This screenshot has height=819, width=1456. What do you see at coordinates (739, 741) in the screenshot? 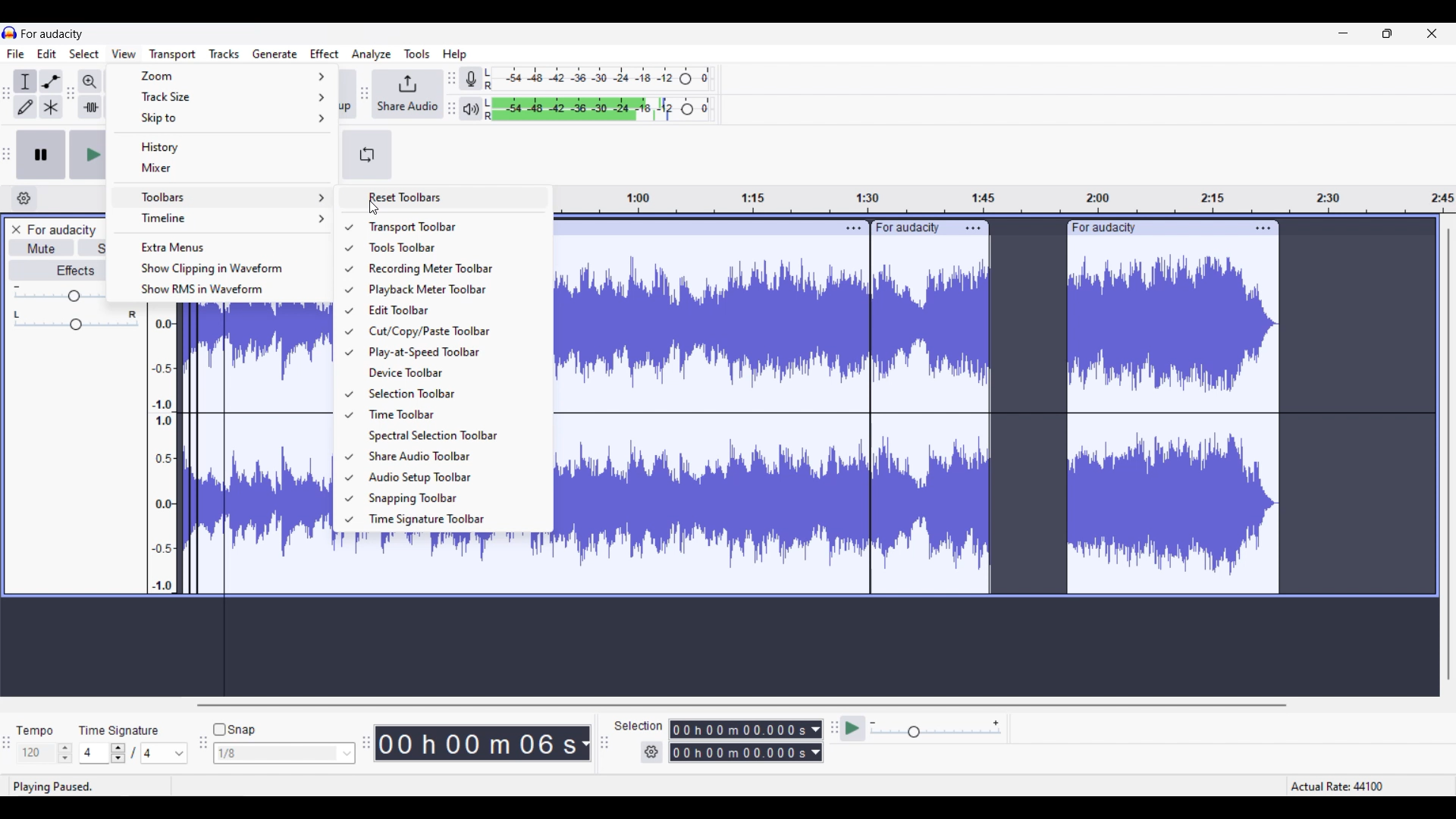
I see `Selection duration` at bounding box center [739, 741].